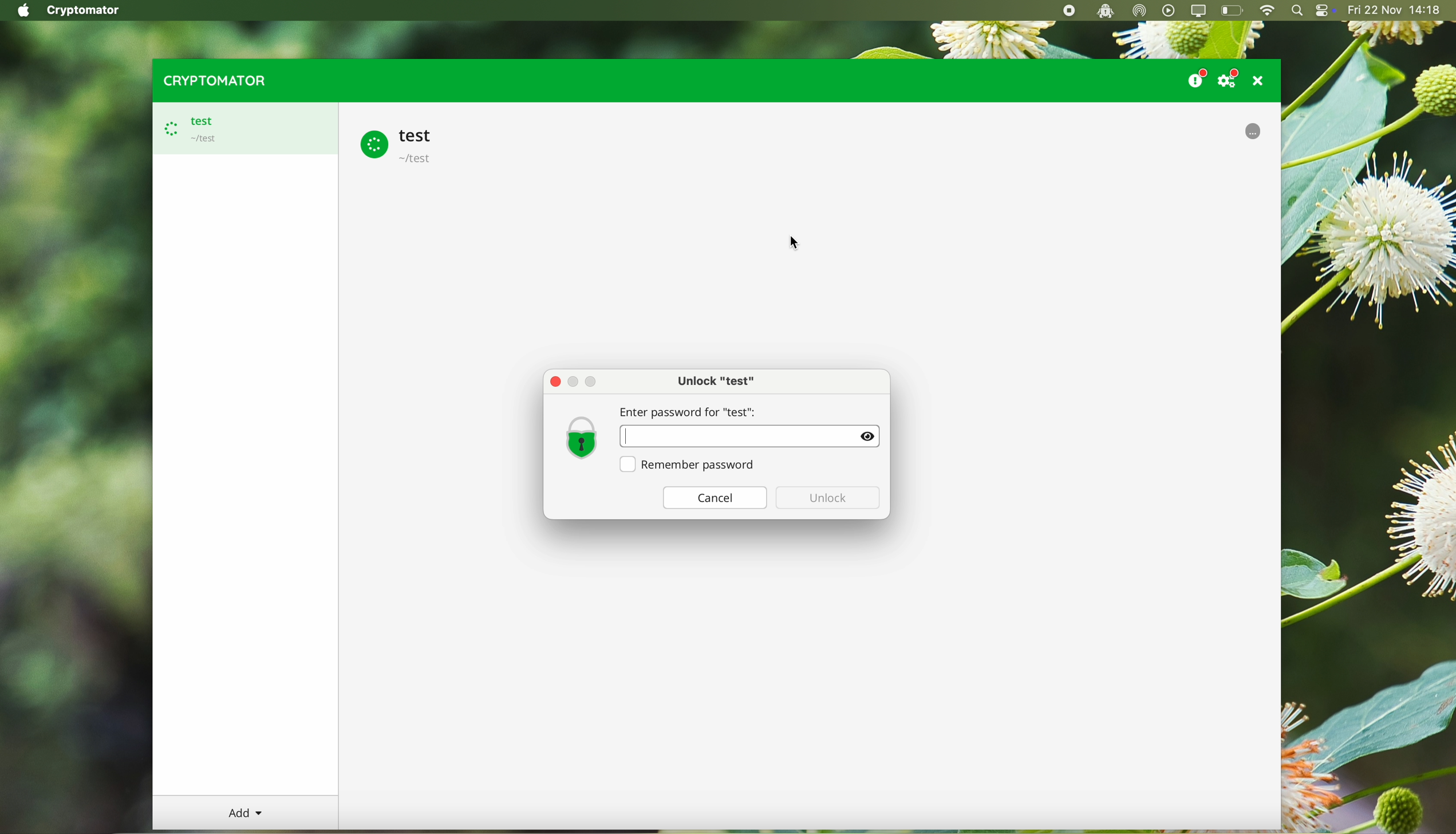  I want to click on uploading, so click(1253, 130).